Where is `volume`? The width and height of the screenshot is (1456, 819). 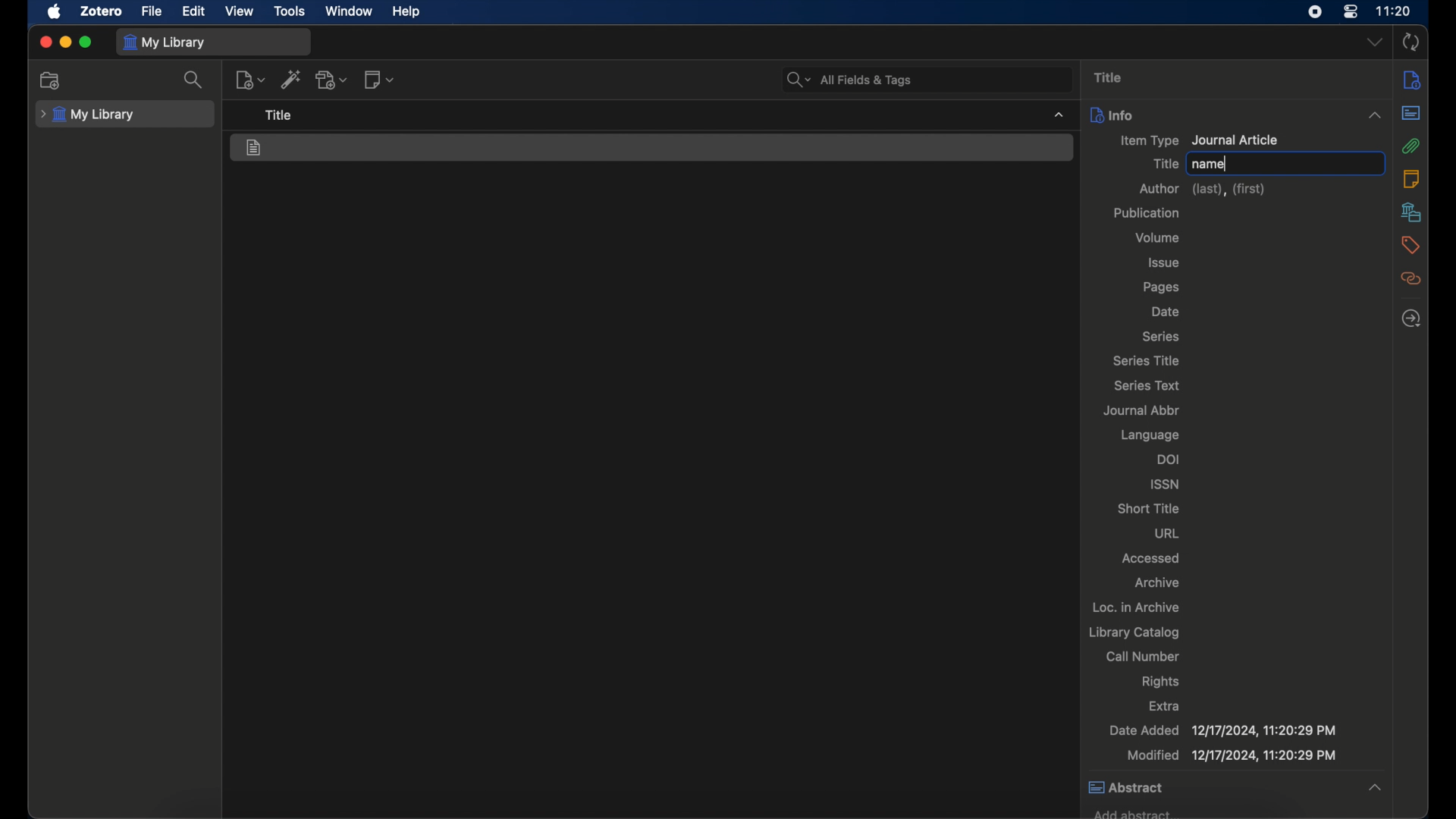
volume is located at coordinates (1156, 238).